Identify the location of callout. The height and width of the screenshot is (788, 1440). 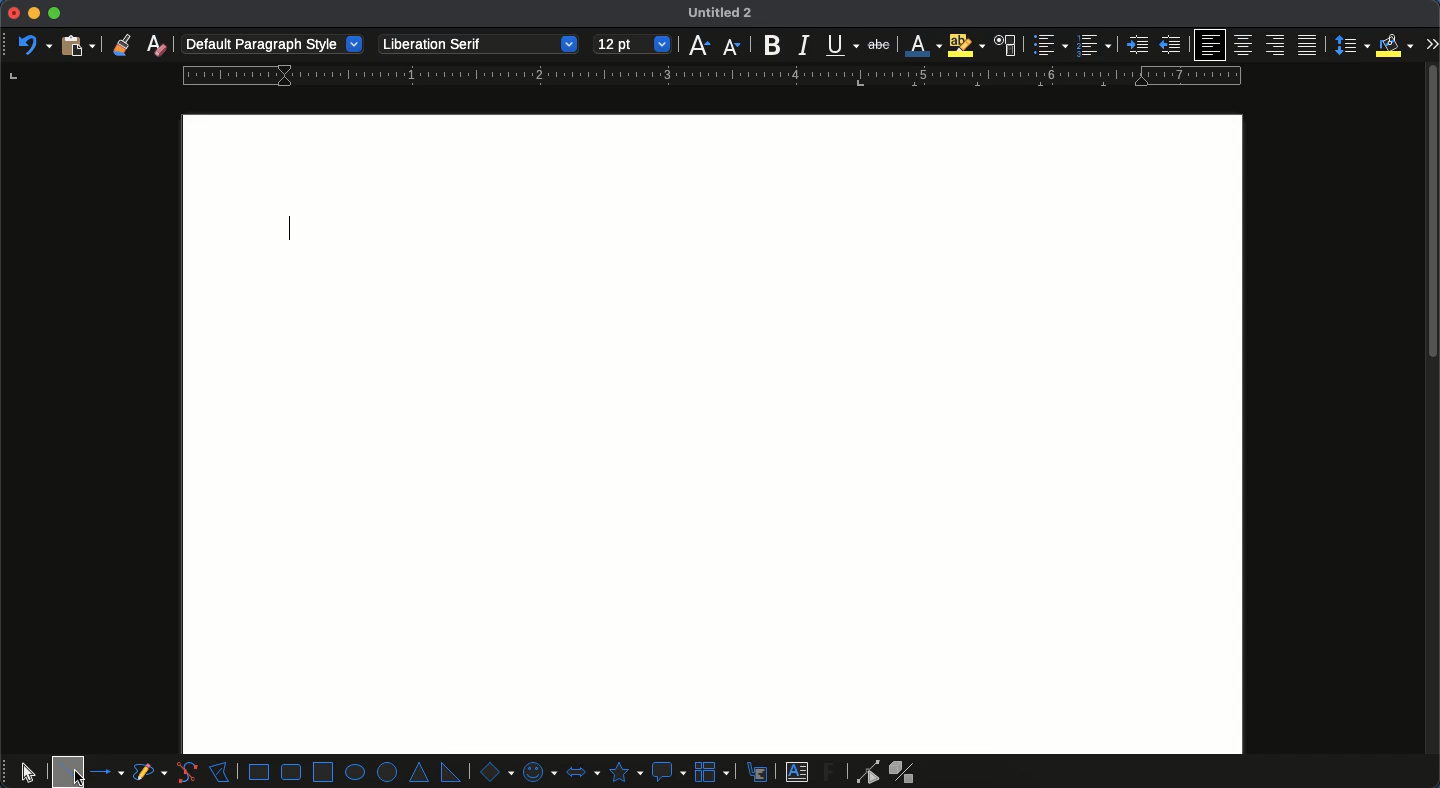
(668, 772).